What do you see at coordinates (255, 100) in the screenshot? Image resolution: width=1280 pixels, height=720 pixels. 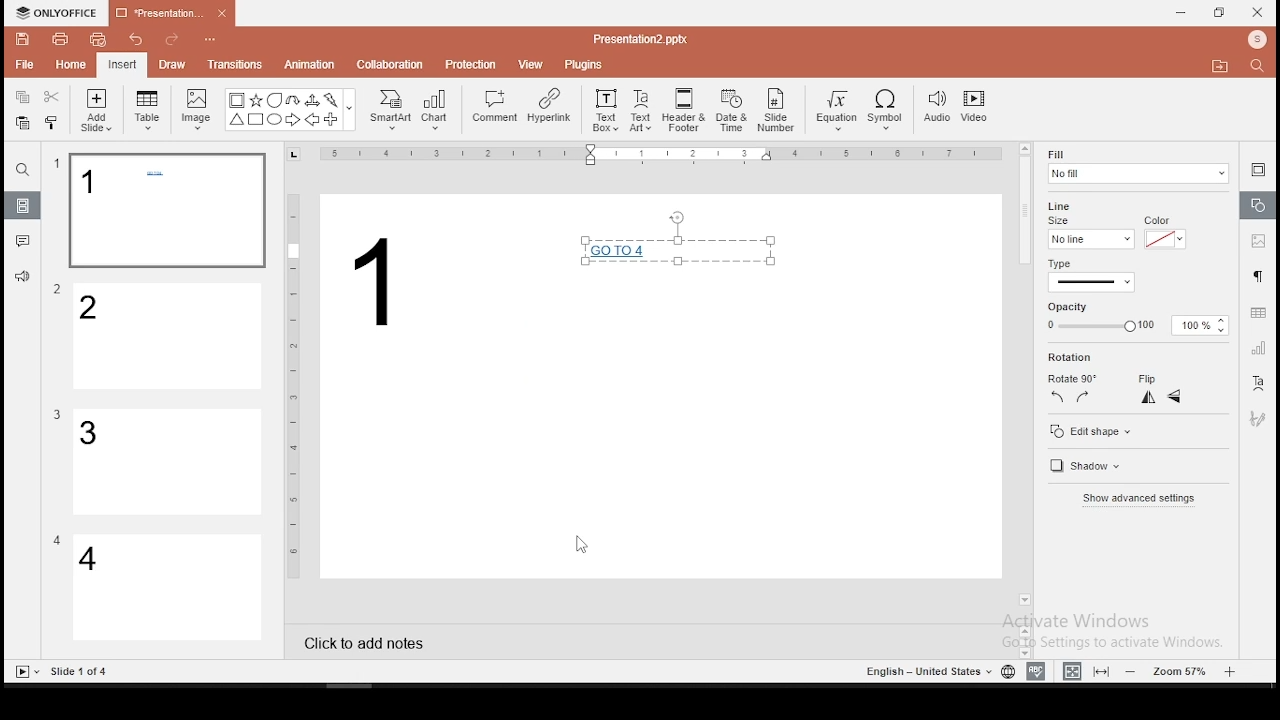 I see `Star` at bounding box center [255, 100].